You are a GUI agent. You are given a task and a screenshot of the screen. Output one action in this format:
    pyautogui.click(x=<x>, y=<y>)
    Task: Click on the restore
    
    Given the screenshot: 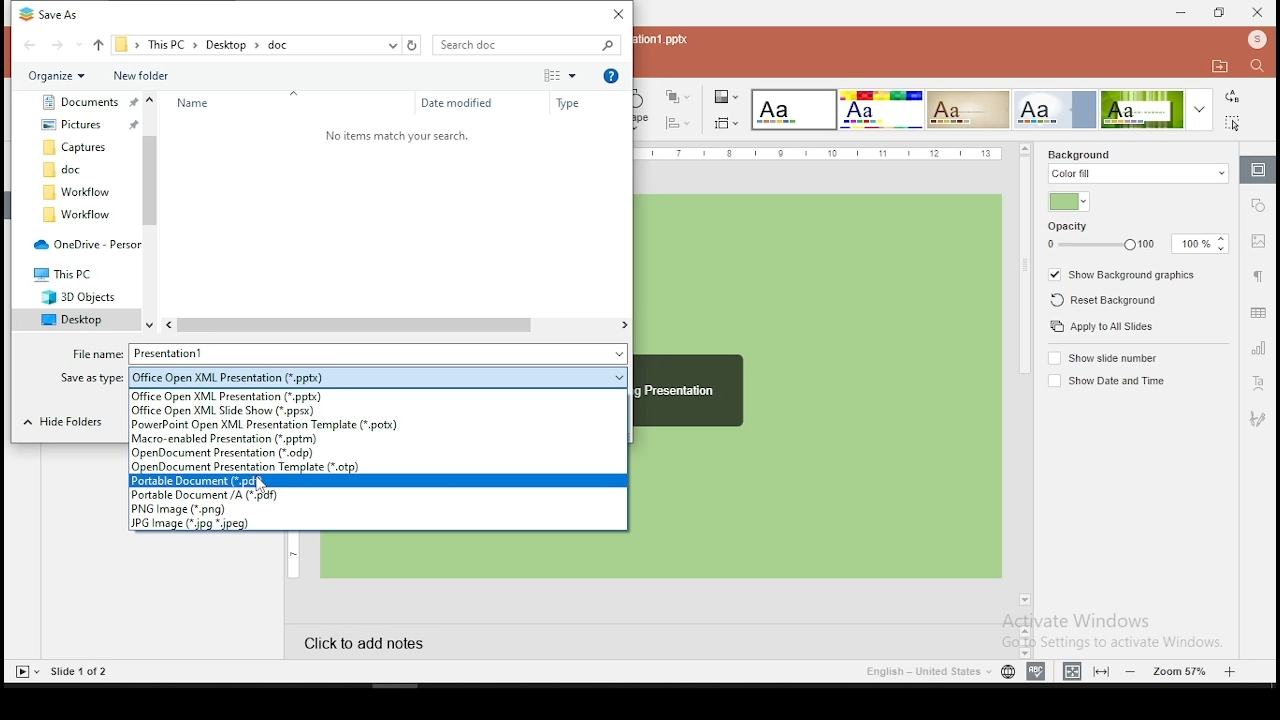 What is the action you would take?
    pyautogui.click(x=1218, y=13)
    